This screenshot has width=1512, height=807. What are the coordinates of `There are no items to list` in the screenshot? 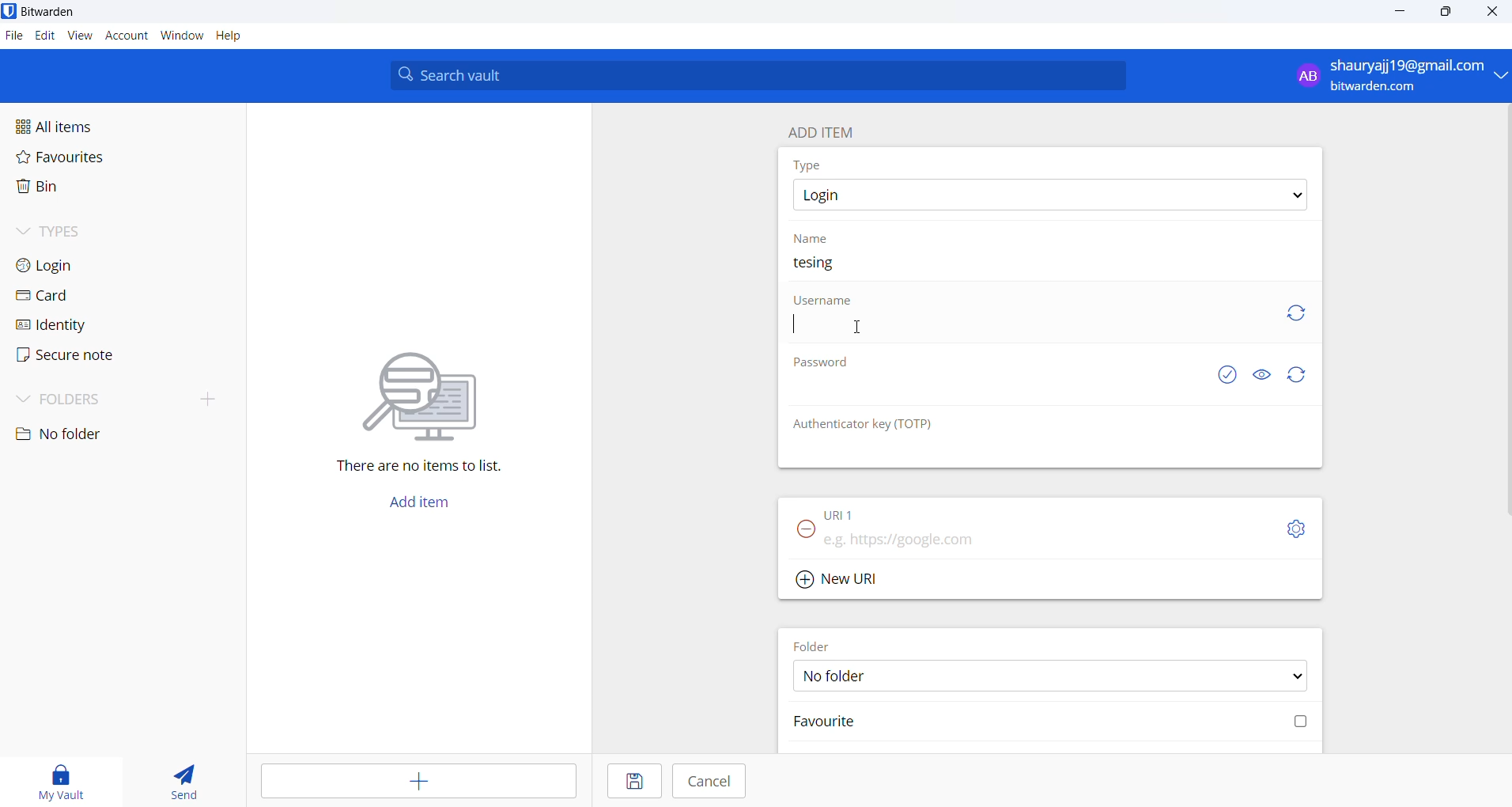 It's located at (427, 468).